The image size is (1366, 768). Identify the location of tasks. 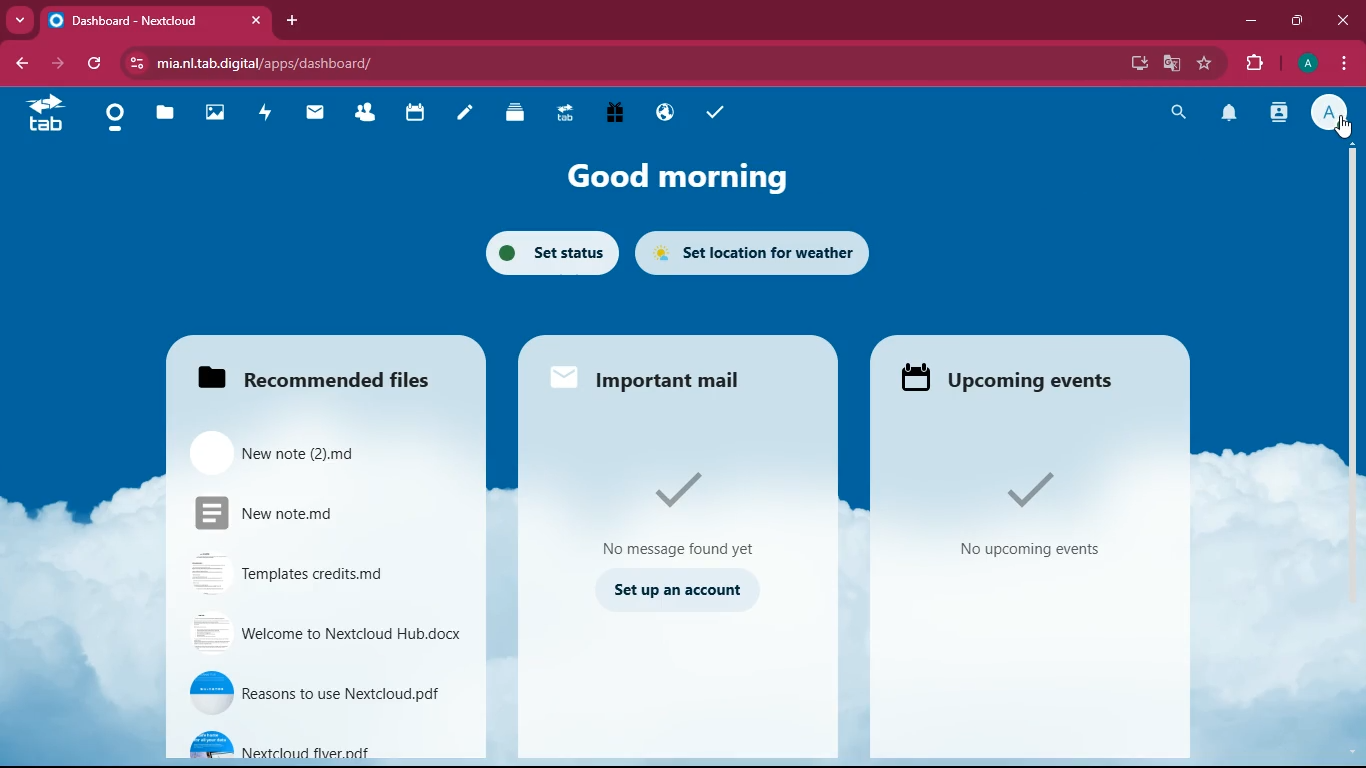
(718, 112).